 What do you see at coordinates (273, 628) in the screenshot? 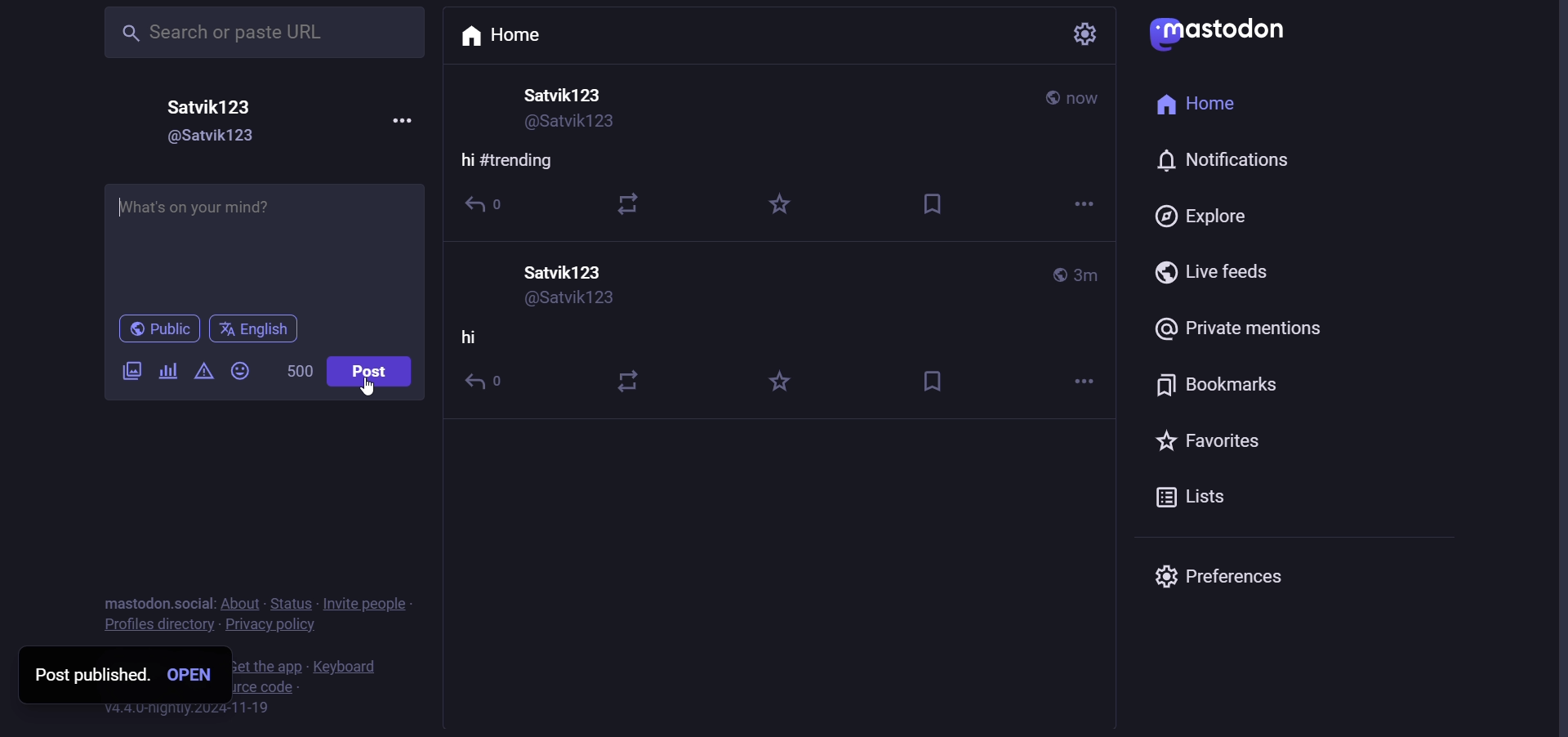
I see `policy` at bounding box center [273, 628].